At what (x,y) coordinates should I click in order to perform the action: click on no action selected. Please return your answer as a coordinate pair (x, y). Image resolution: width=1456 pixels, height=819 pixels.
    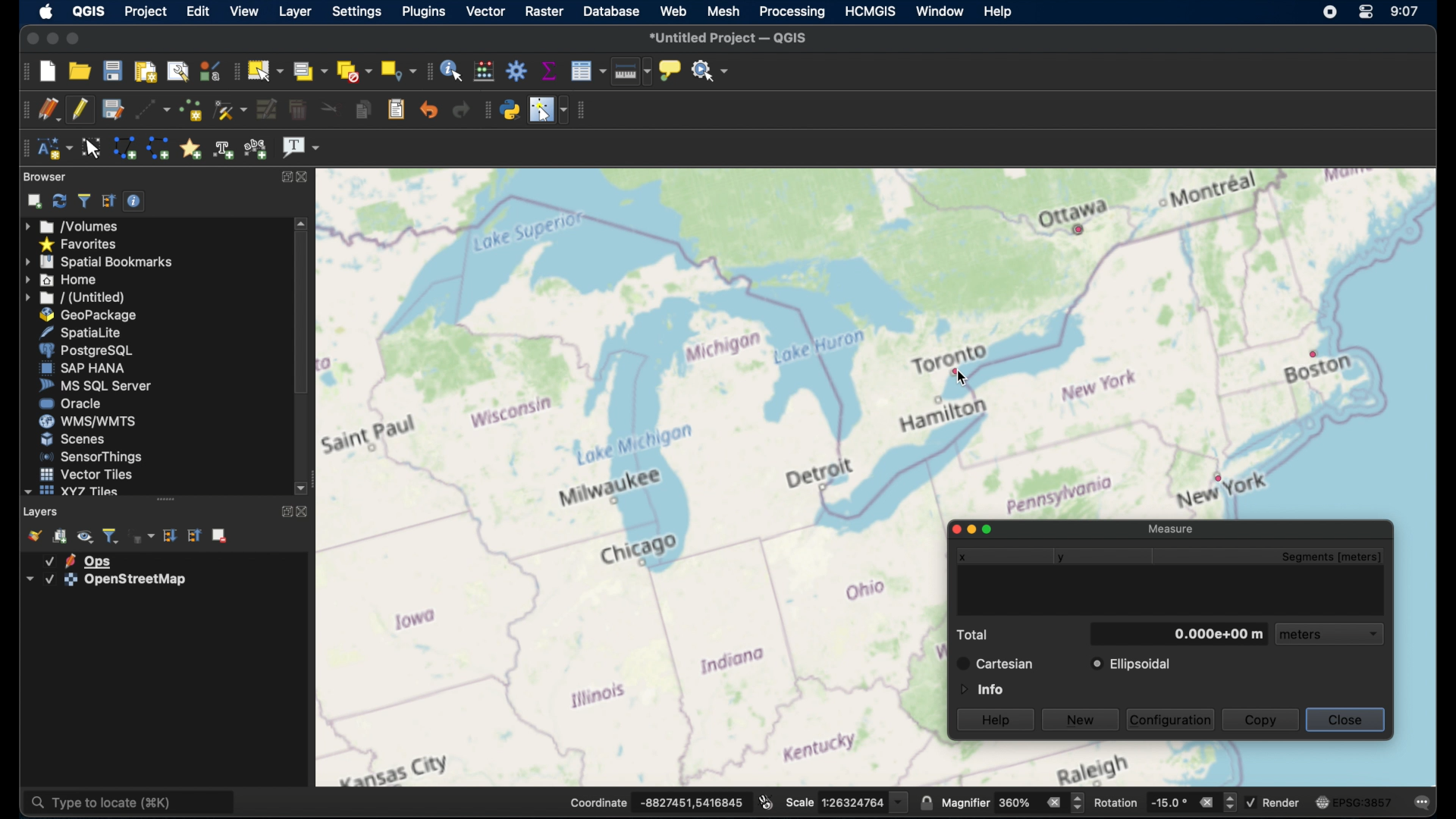
    Looking at the image, I should click on (711, 69).